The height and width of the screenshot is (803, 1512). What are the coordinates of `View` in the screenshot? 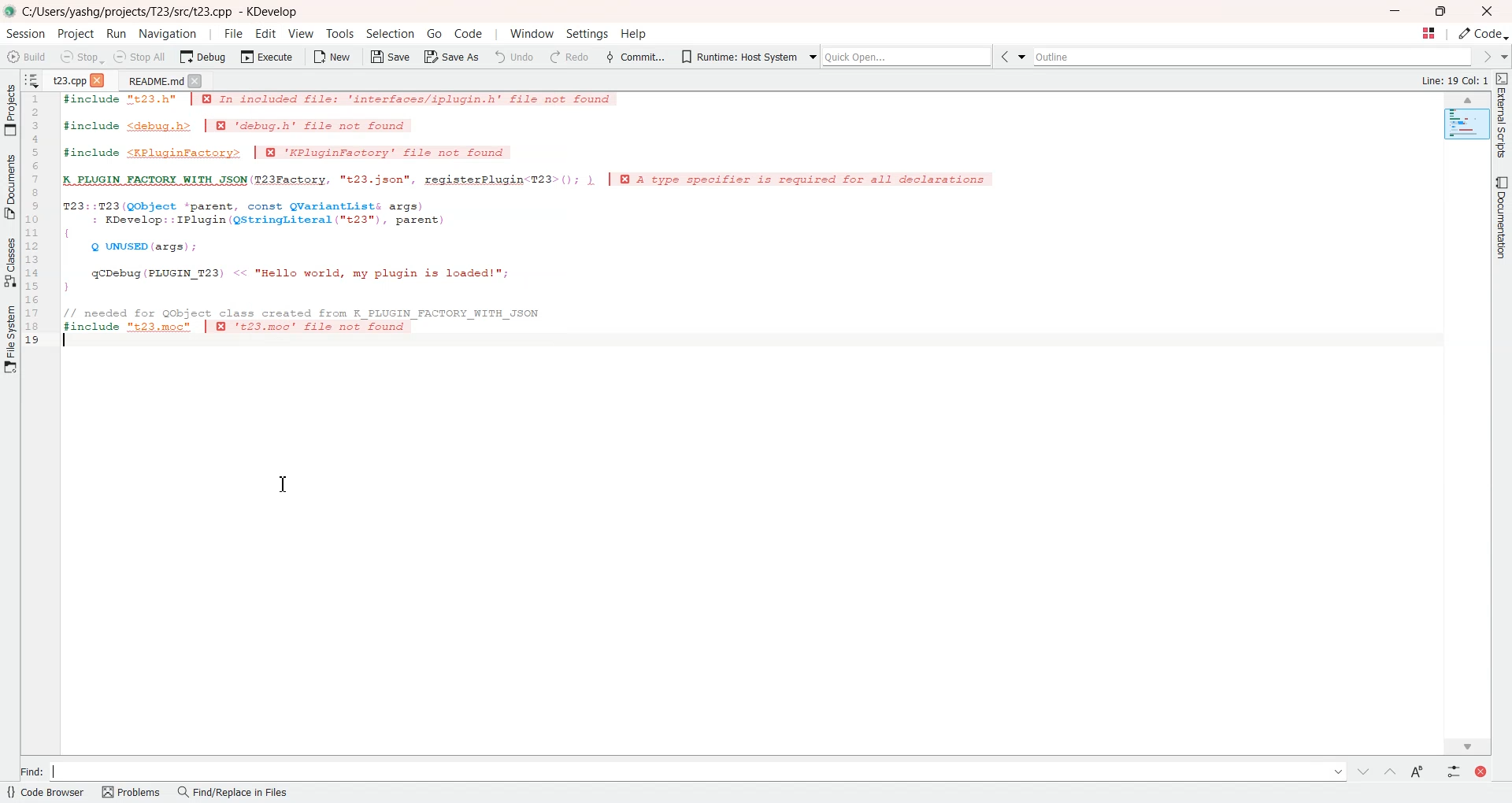 It's located at (301, 33).